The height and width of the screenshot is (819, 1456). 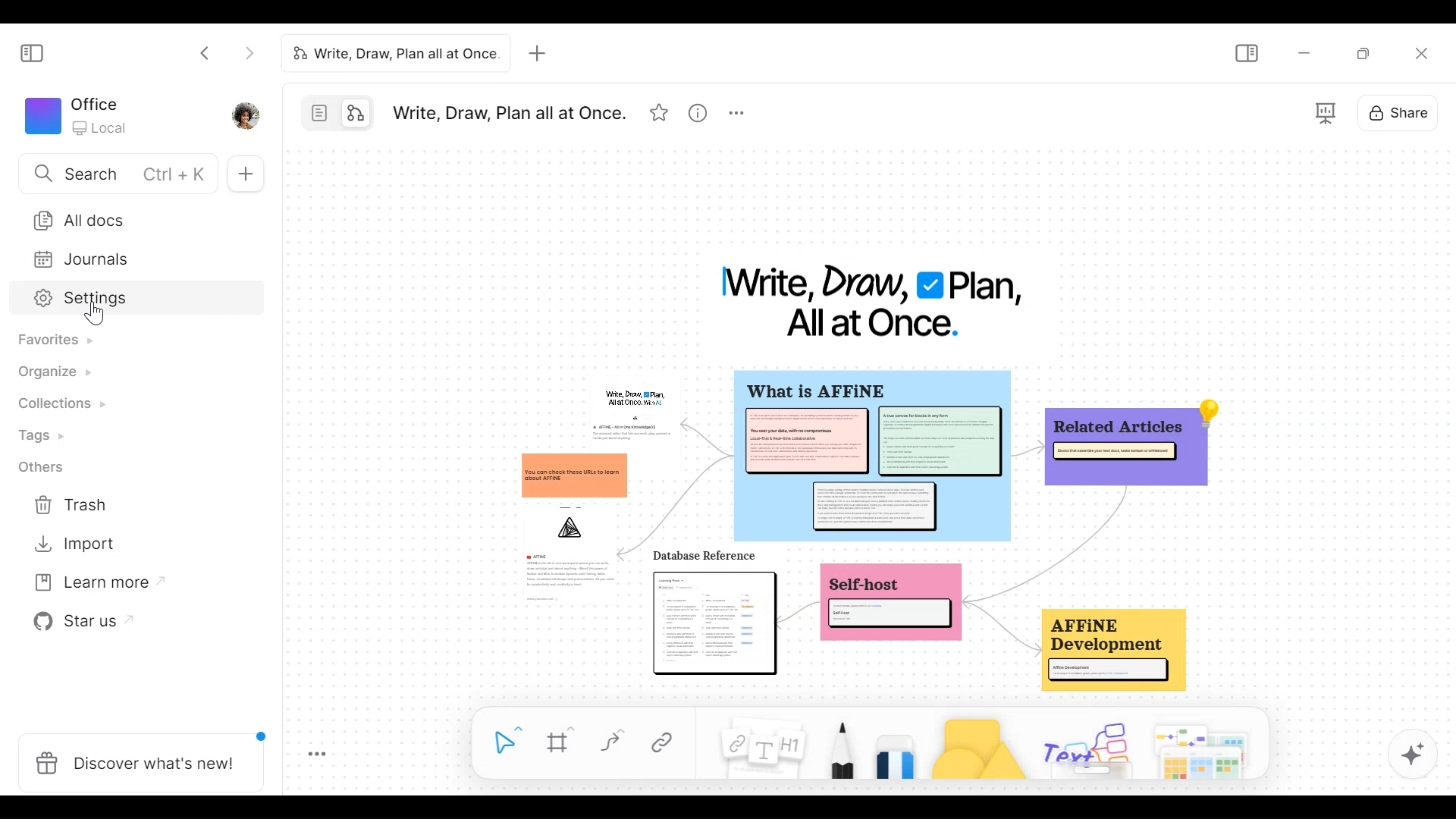 What do you see at coordinates (668, 743) in the screenshot?
I see `Link` at bounding box center [668, 743].